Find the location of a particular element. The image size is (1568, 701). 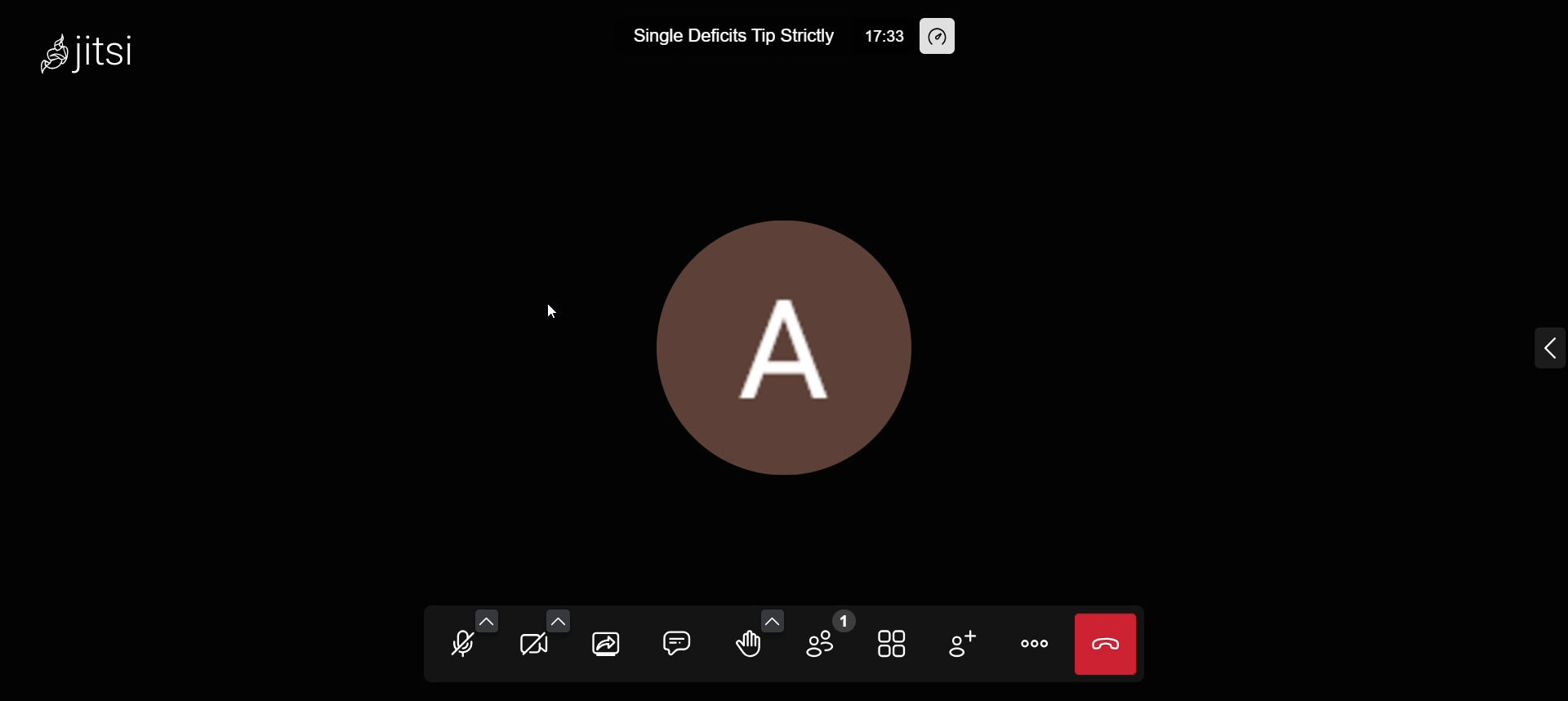

expand is located at coordinates (1532, 353).